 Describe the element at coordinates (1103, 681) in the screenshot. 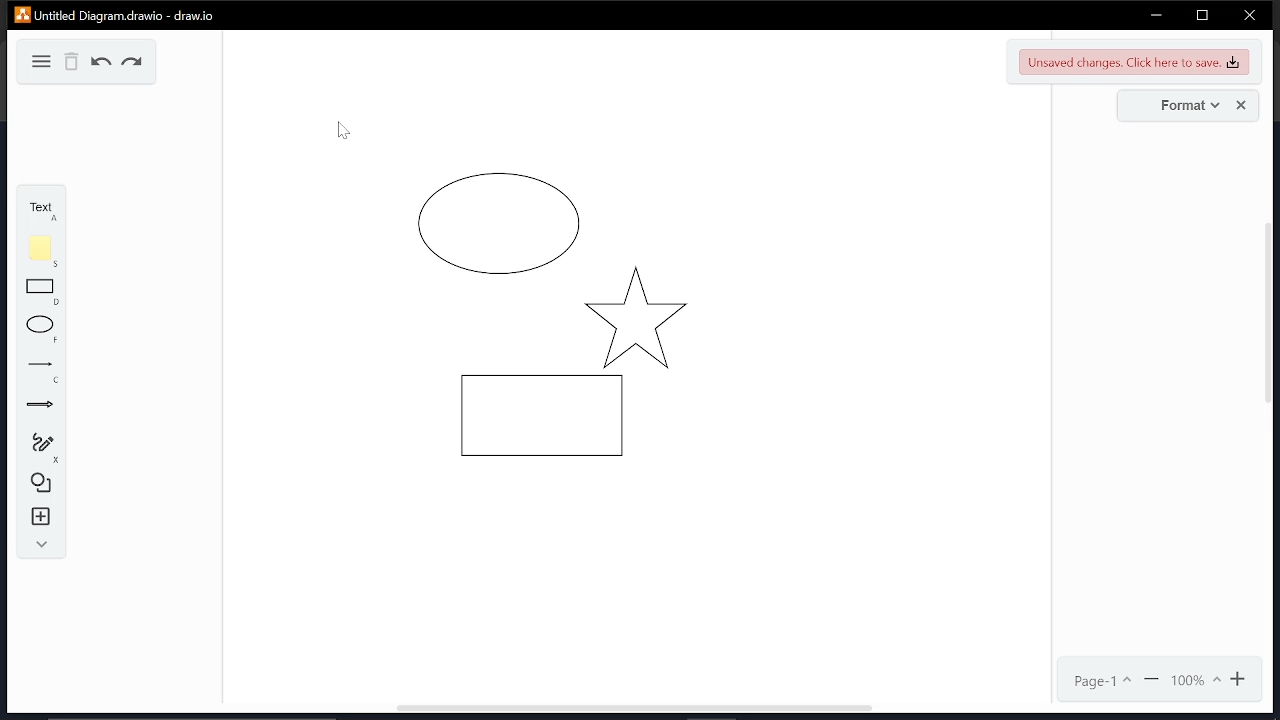

I see `page1` at that location.